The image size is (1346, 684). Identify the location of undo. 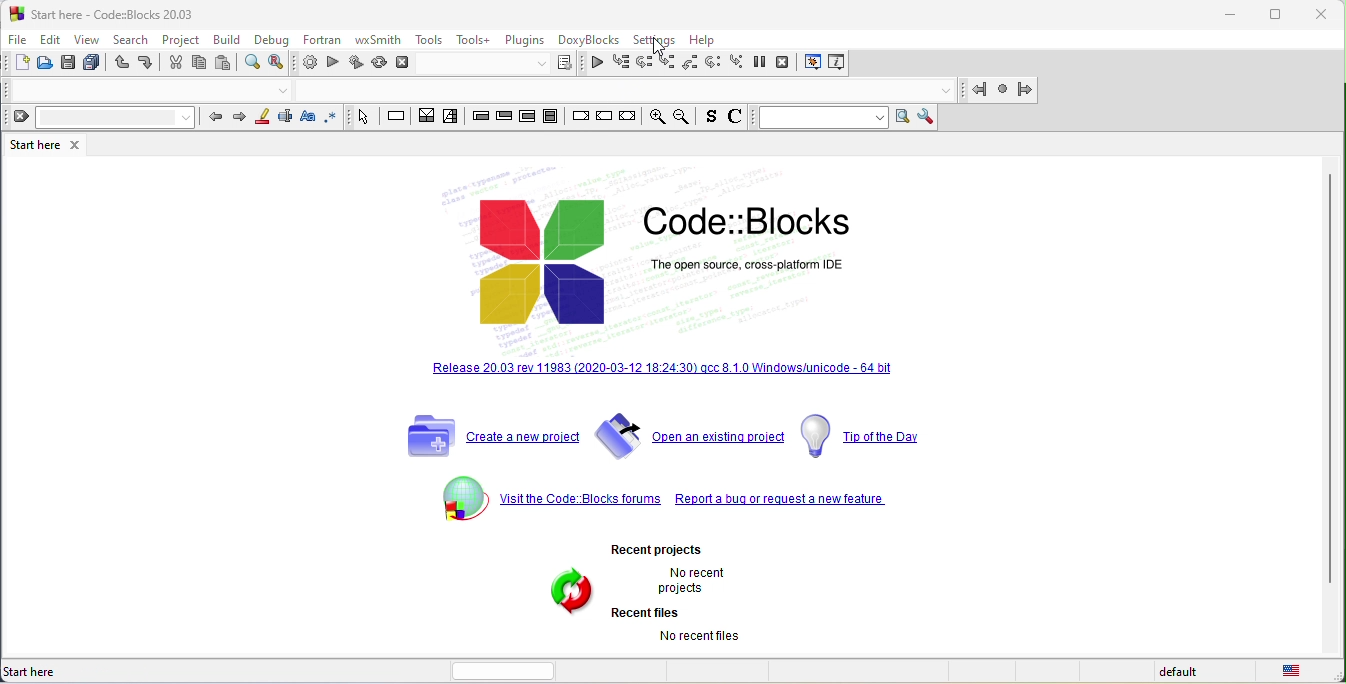
(122, 67).